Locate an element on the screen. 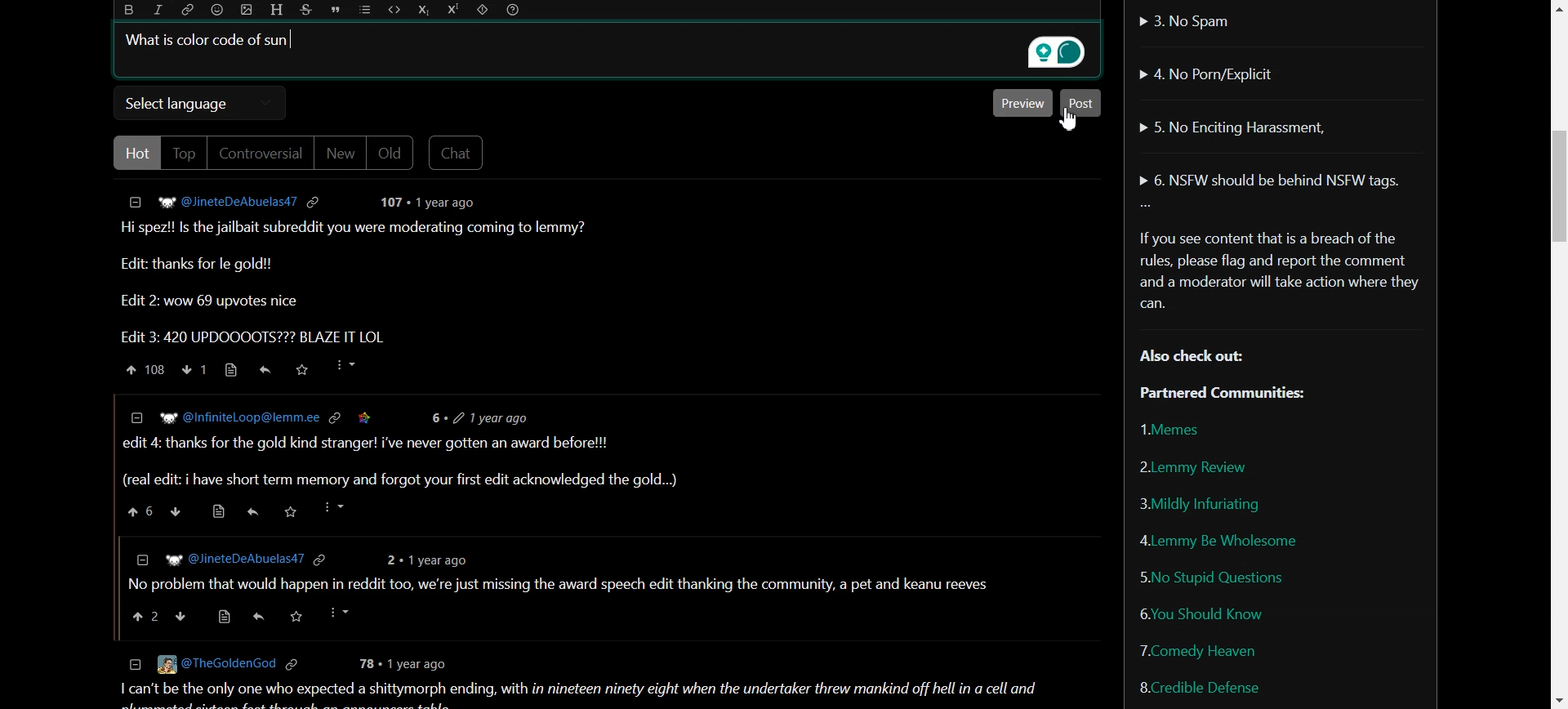 The width and height of the screenshot is (1568, 709). Strikethrough is located at coordinates (306, 10).